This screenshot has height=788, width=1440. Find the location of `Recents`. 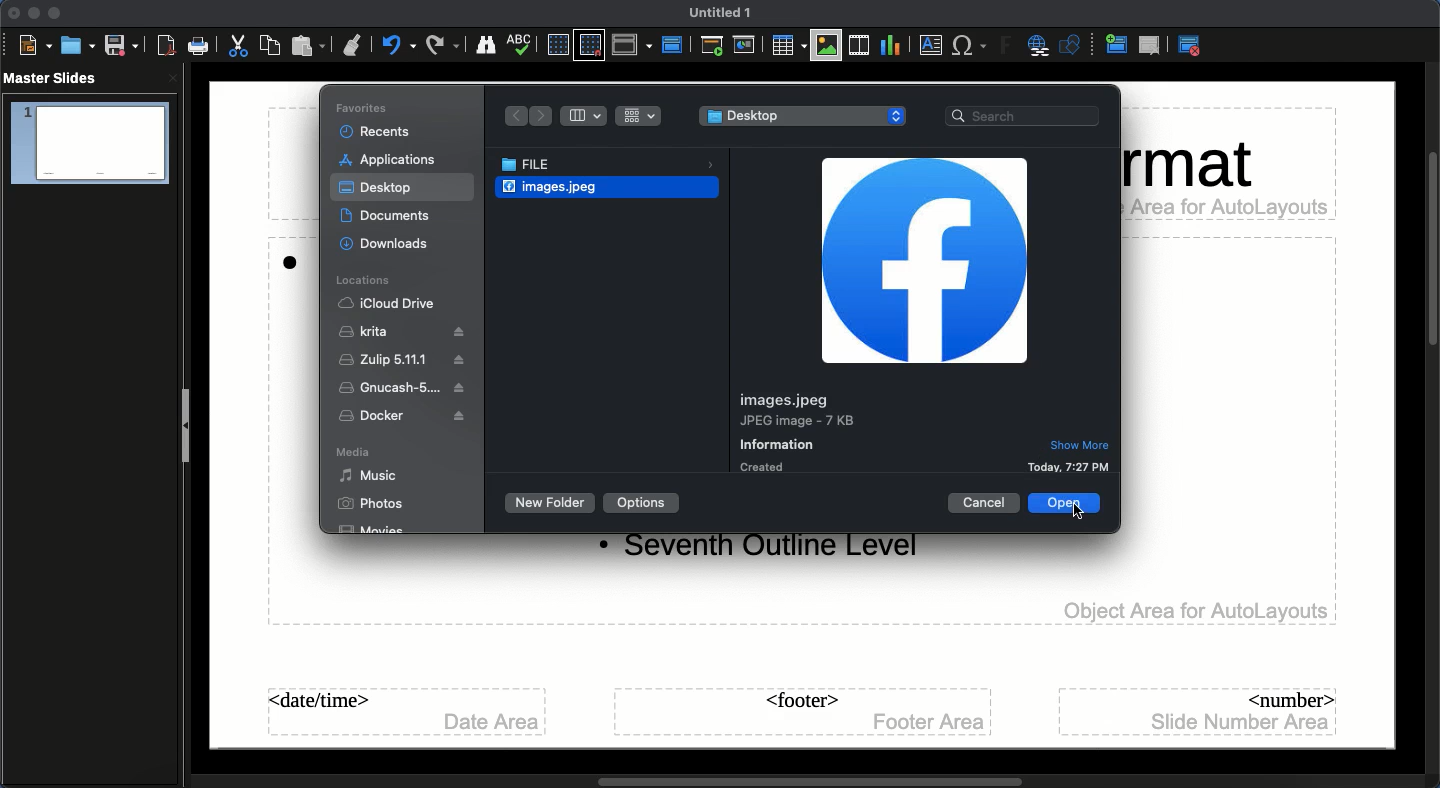

Recents is located at coordinates (377, 131).